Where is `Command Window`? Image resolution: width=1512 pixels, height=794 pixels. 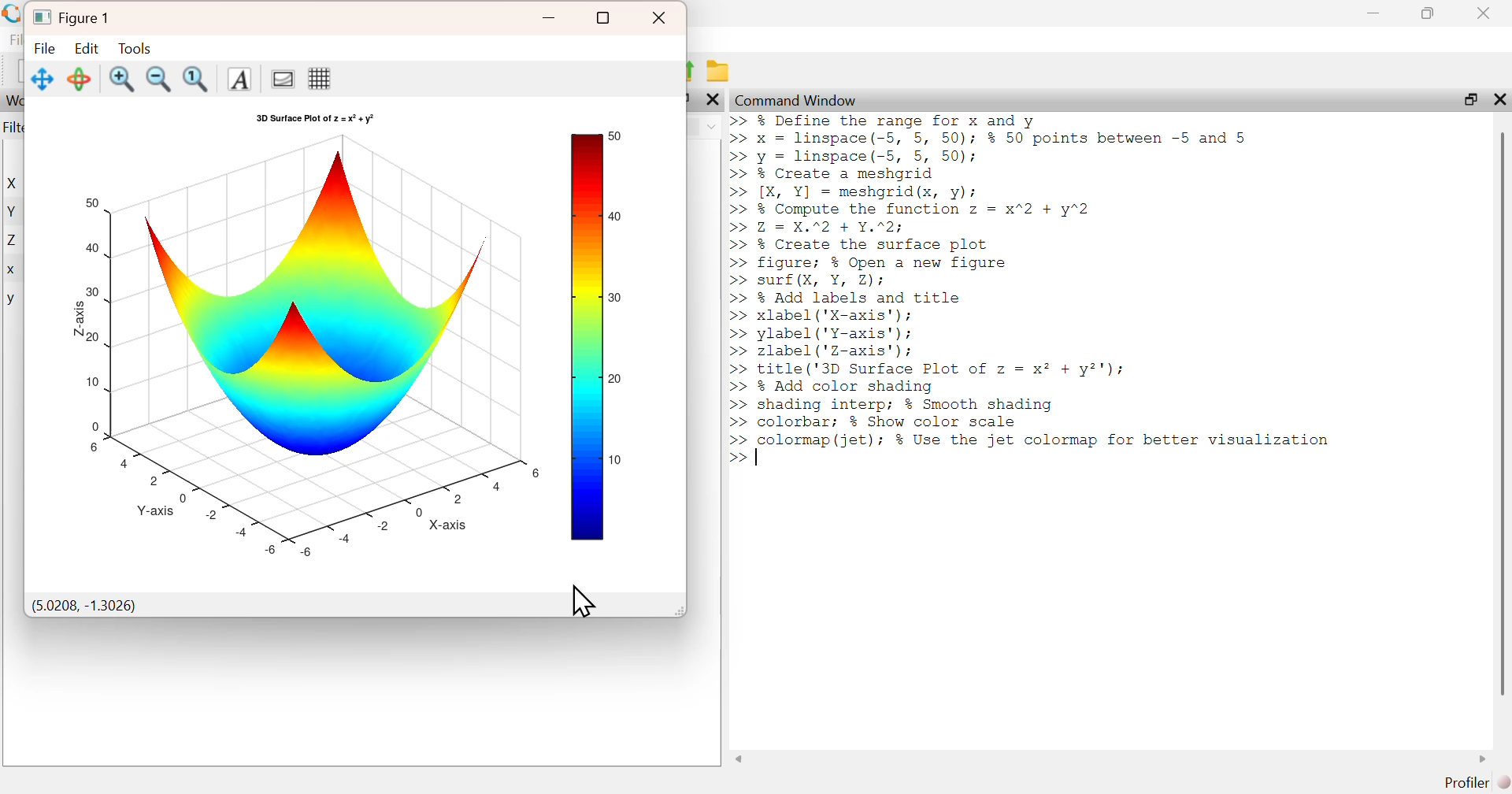 Command Window is located at coordinates (798, 100).